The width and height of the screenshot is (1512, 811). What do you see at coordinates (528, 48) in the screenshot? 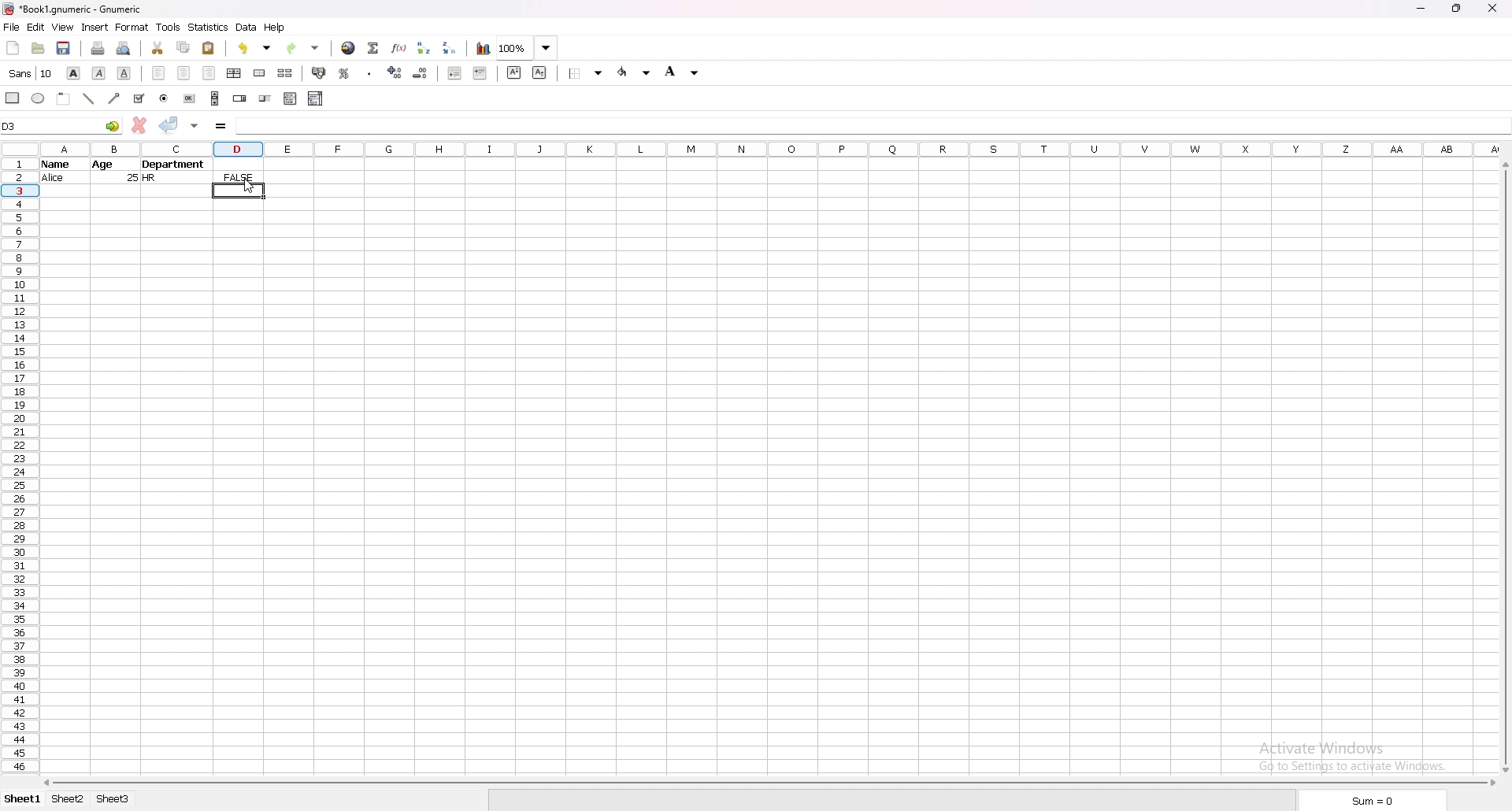
I see `zoom` at bounding box center [528, 48].